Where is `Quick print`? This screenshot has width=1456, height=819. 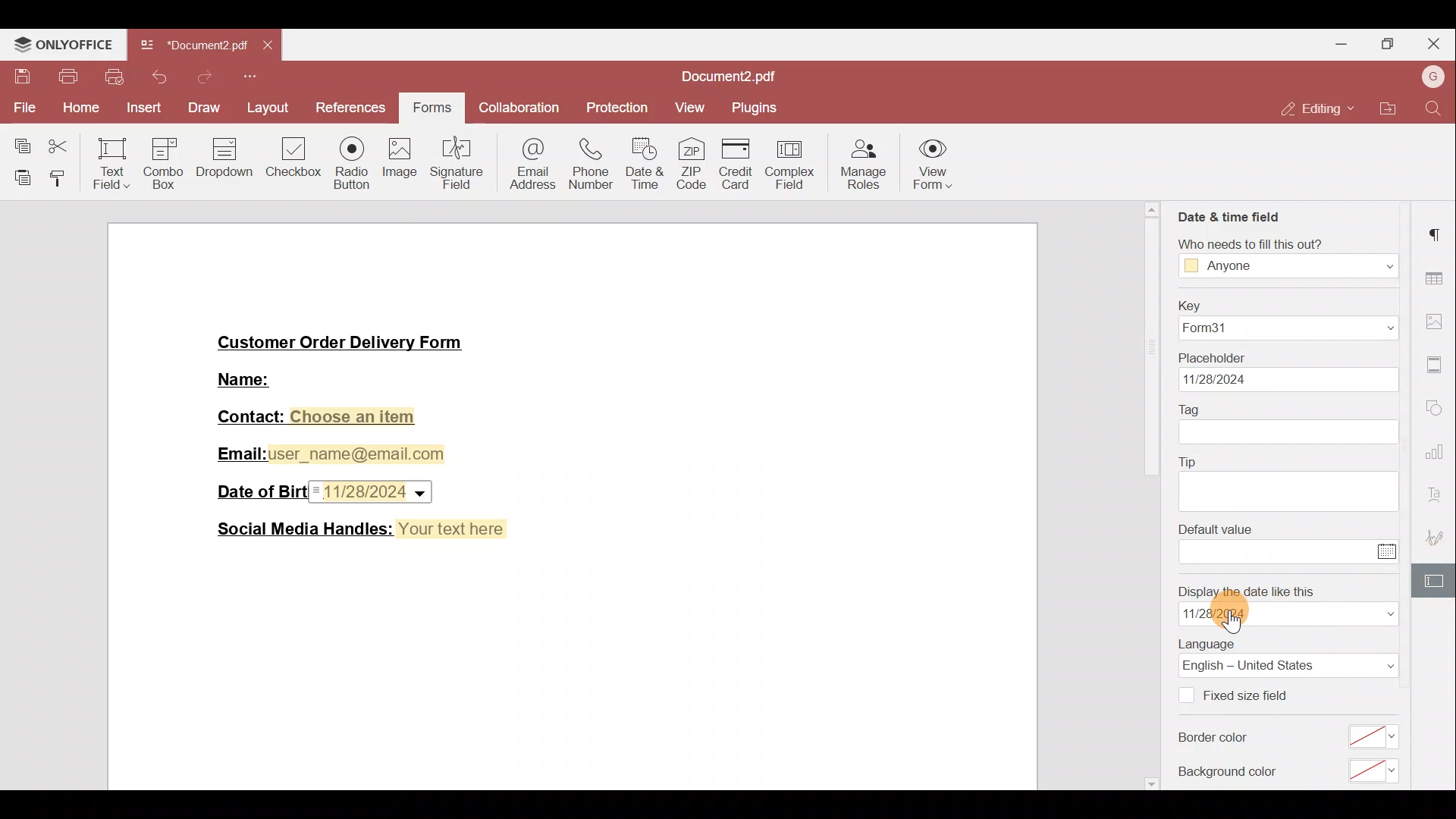
Quick print is located at coordinates (113, 76).